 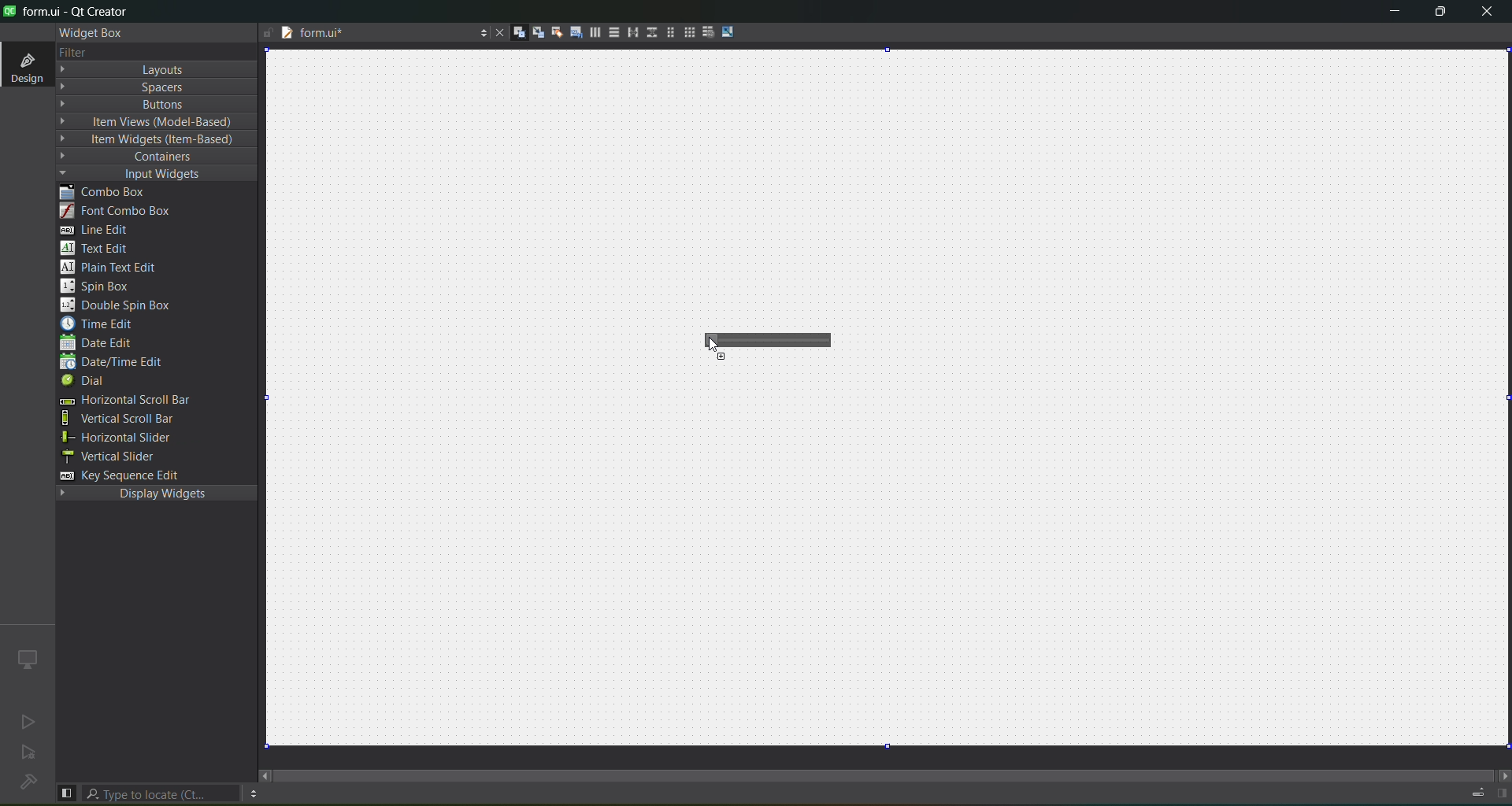 I want to click on dial, so click(x=87, y=381).